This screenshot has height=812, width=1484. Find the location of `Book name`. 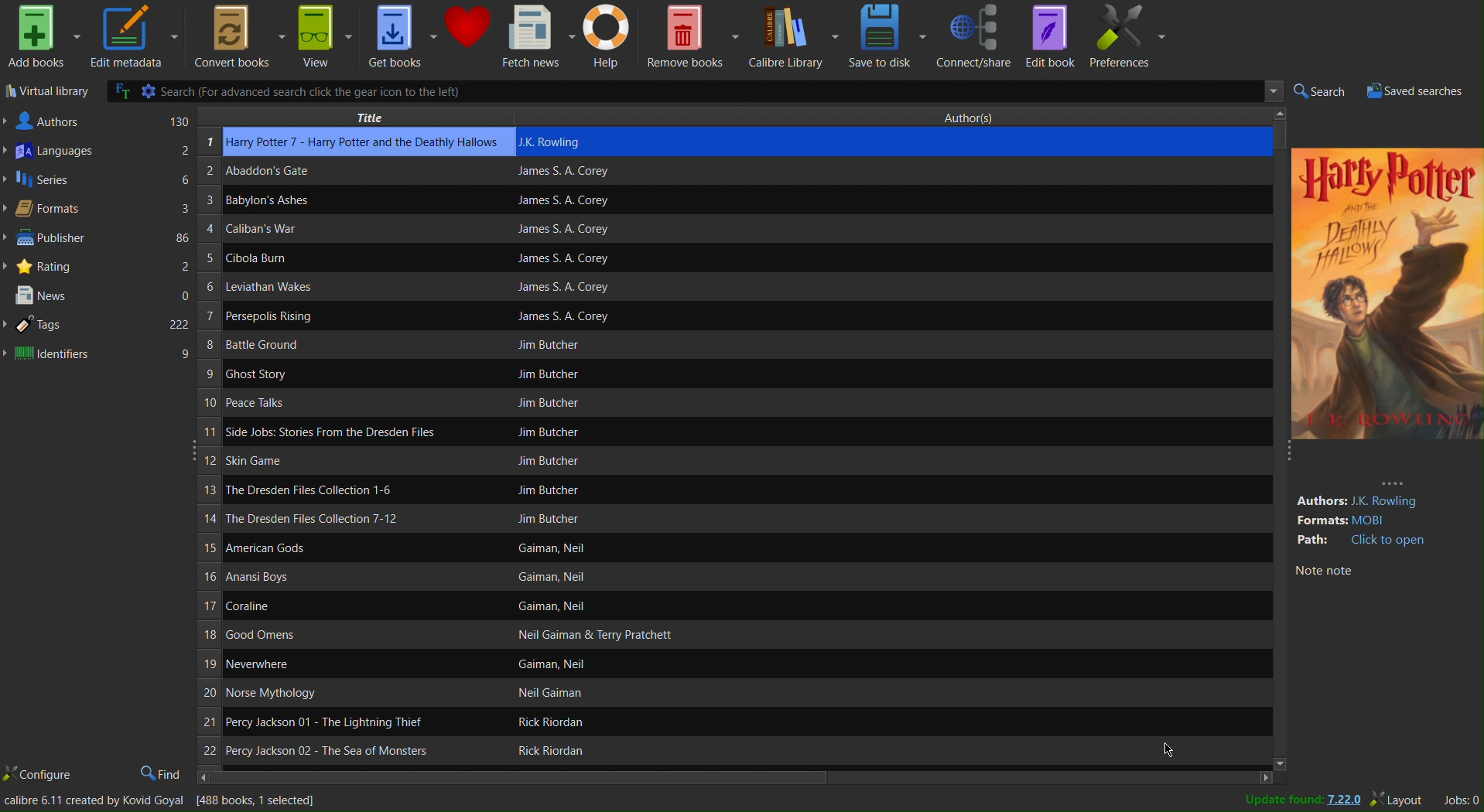

Book name is located at coordinates (333, 749).